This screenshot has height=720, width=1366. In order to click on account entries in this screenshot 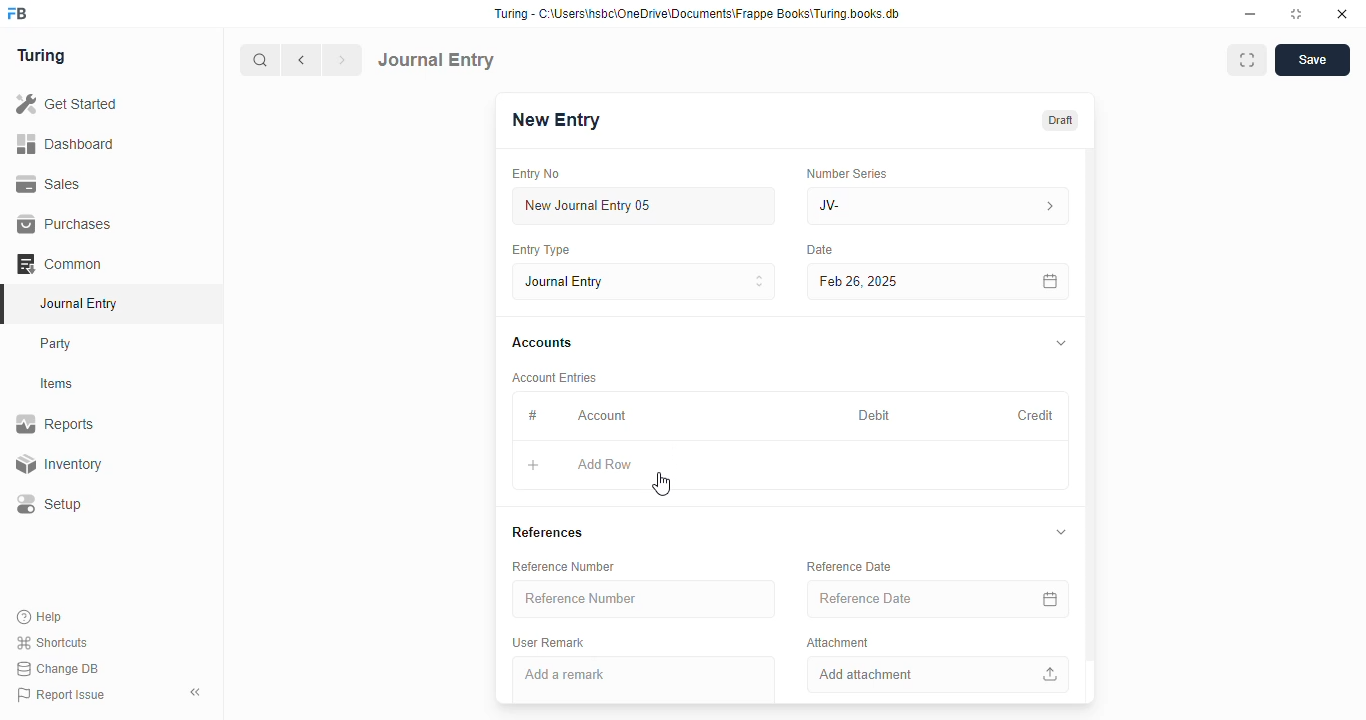, I will do `click(554, 377)`.